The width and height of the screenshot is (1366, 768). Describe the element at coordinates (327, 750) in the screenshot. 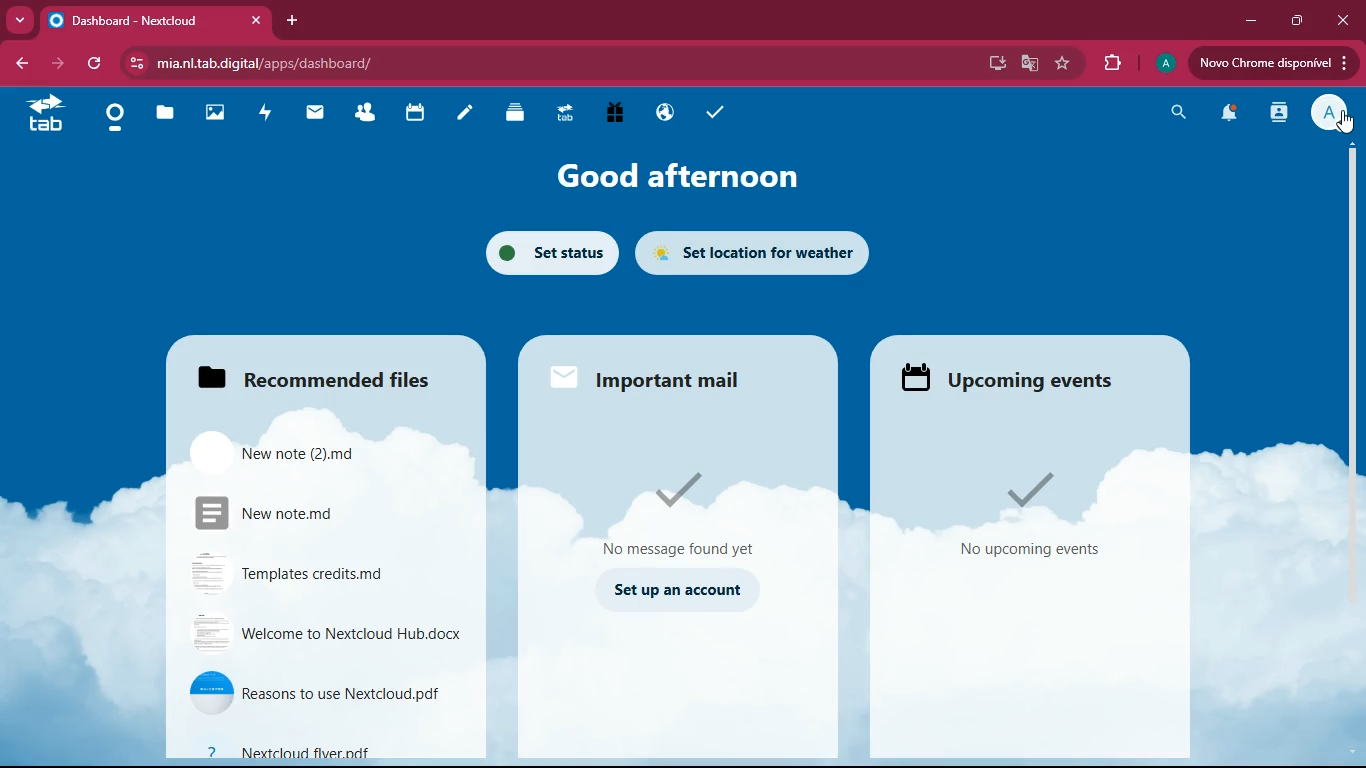

I see `file` at that location.